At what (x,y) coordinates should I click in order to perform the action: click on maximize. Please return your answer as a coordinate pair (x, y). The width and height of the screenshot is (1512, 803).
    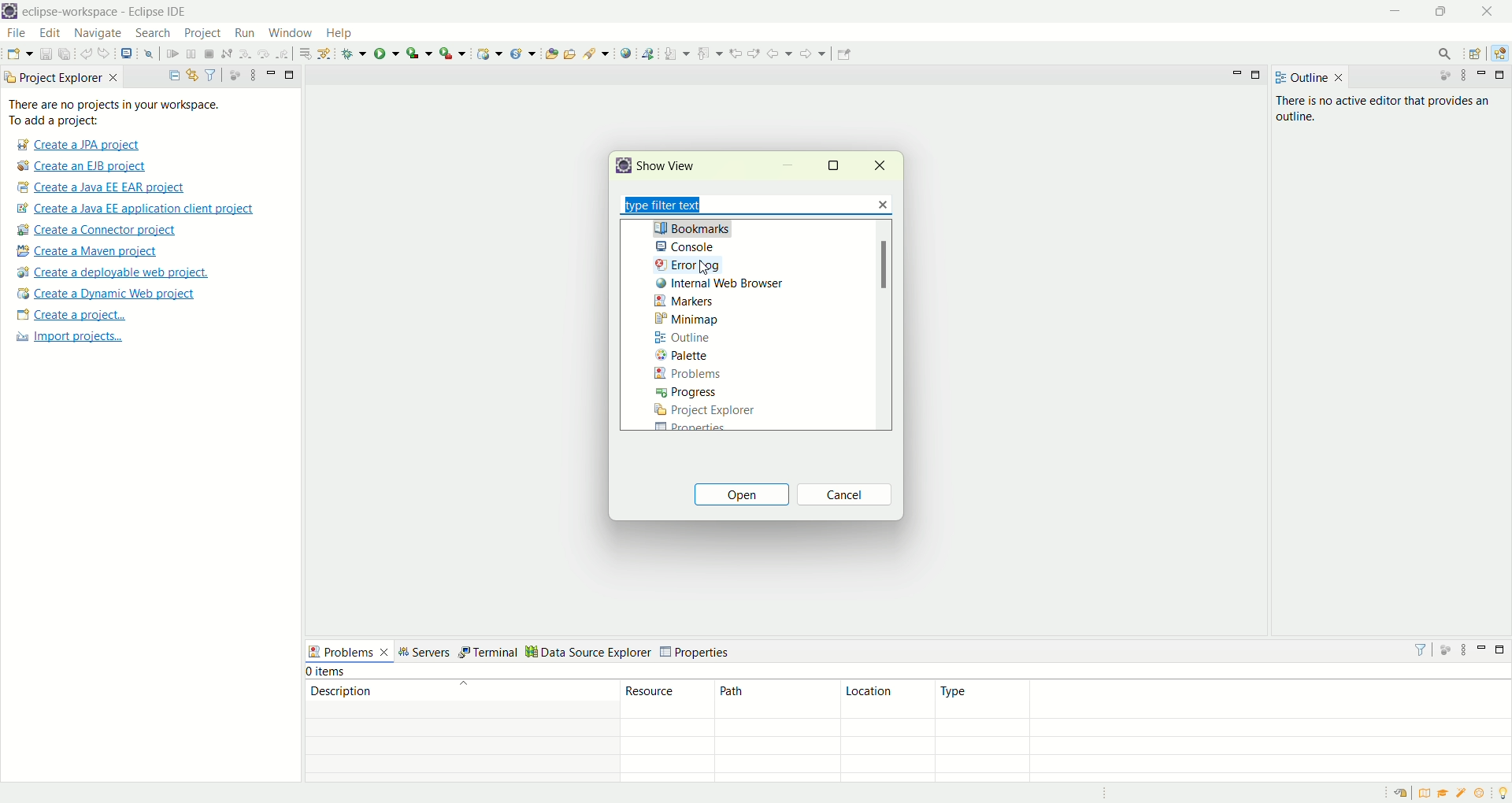
    Looking at the image, I should click on (290, 73).